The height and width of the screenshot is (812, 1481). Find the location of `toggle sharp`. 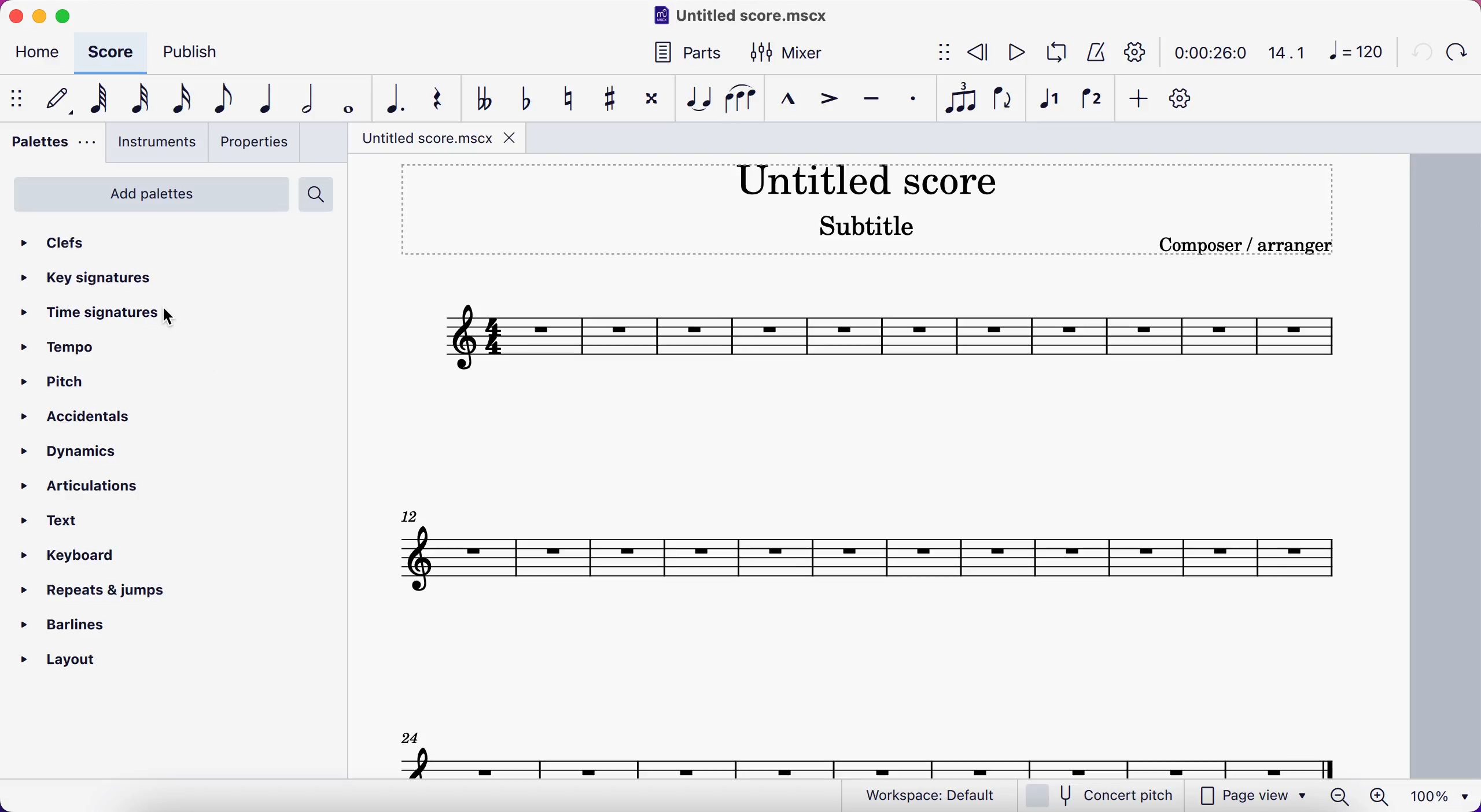

toggle sharp is located at coordinates (607, 97).